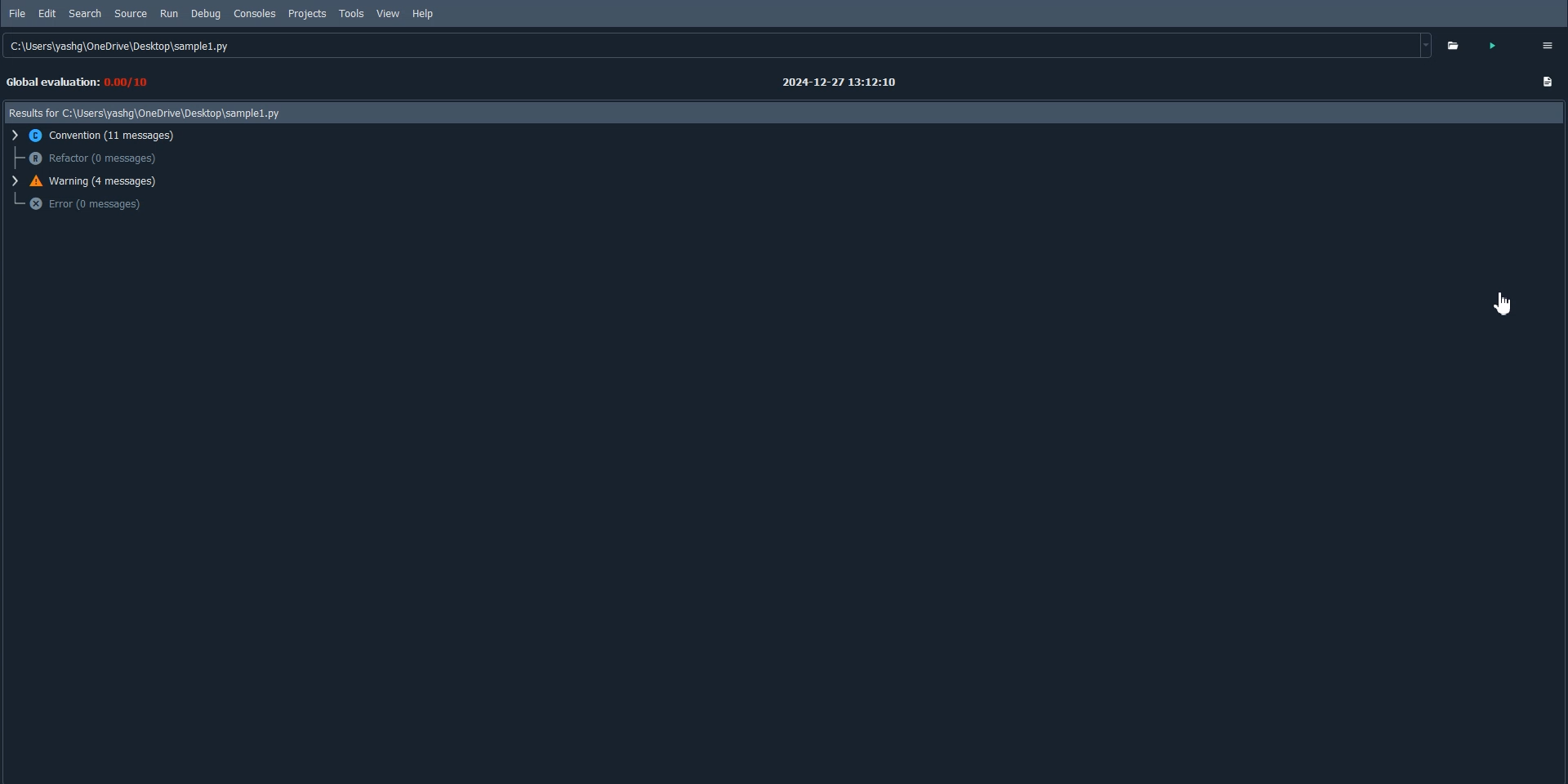 This screenshot has height=784, width=1568. What do you see at coordinates (845, 82) in the screenshot?
I see `2024-12-27 13:12:10` at bounding box center [845, 82].